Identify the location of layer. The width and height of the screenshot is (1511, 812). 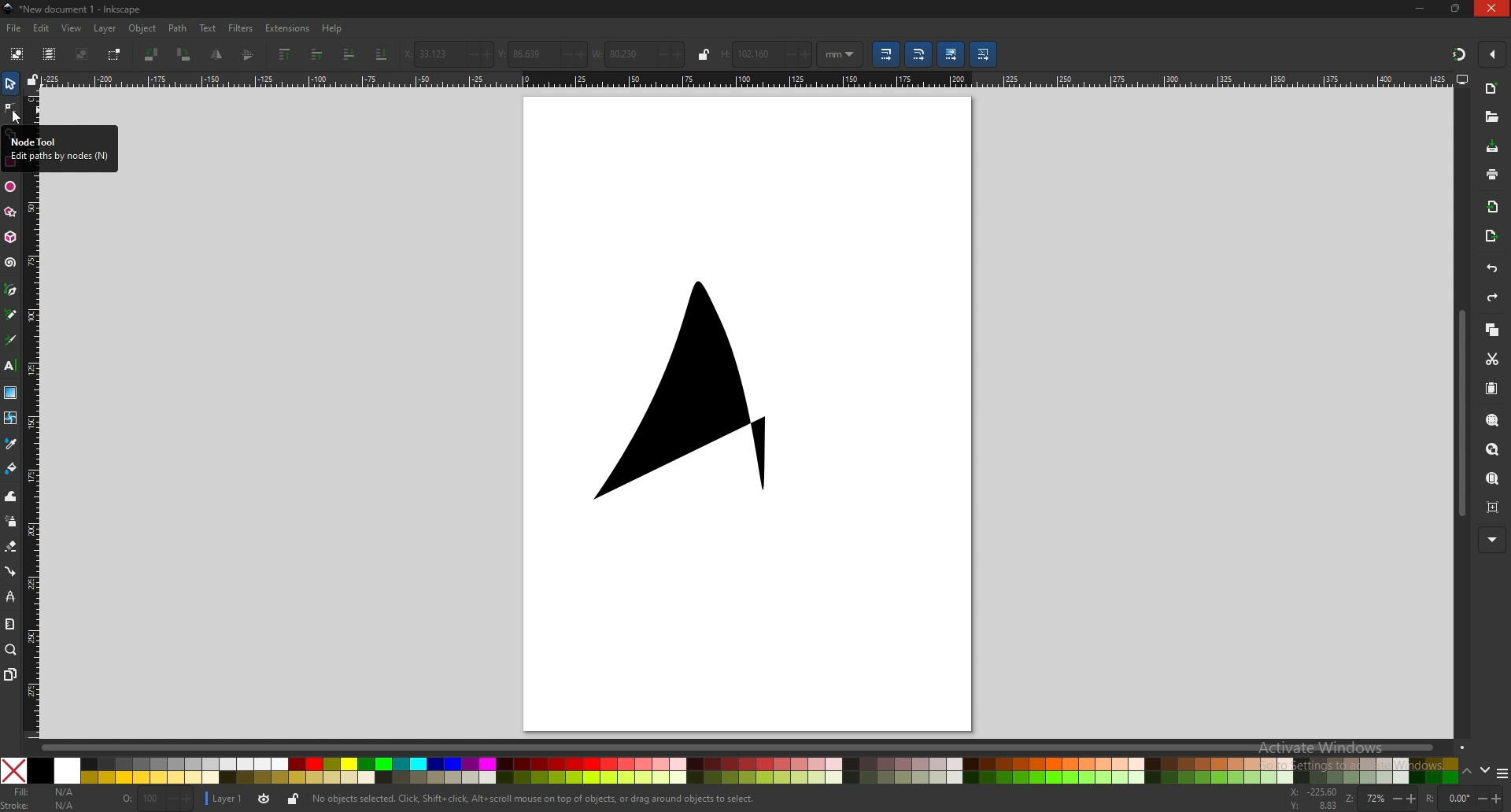
(105, 29).